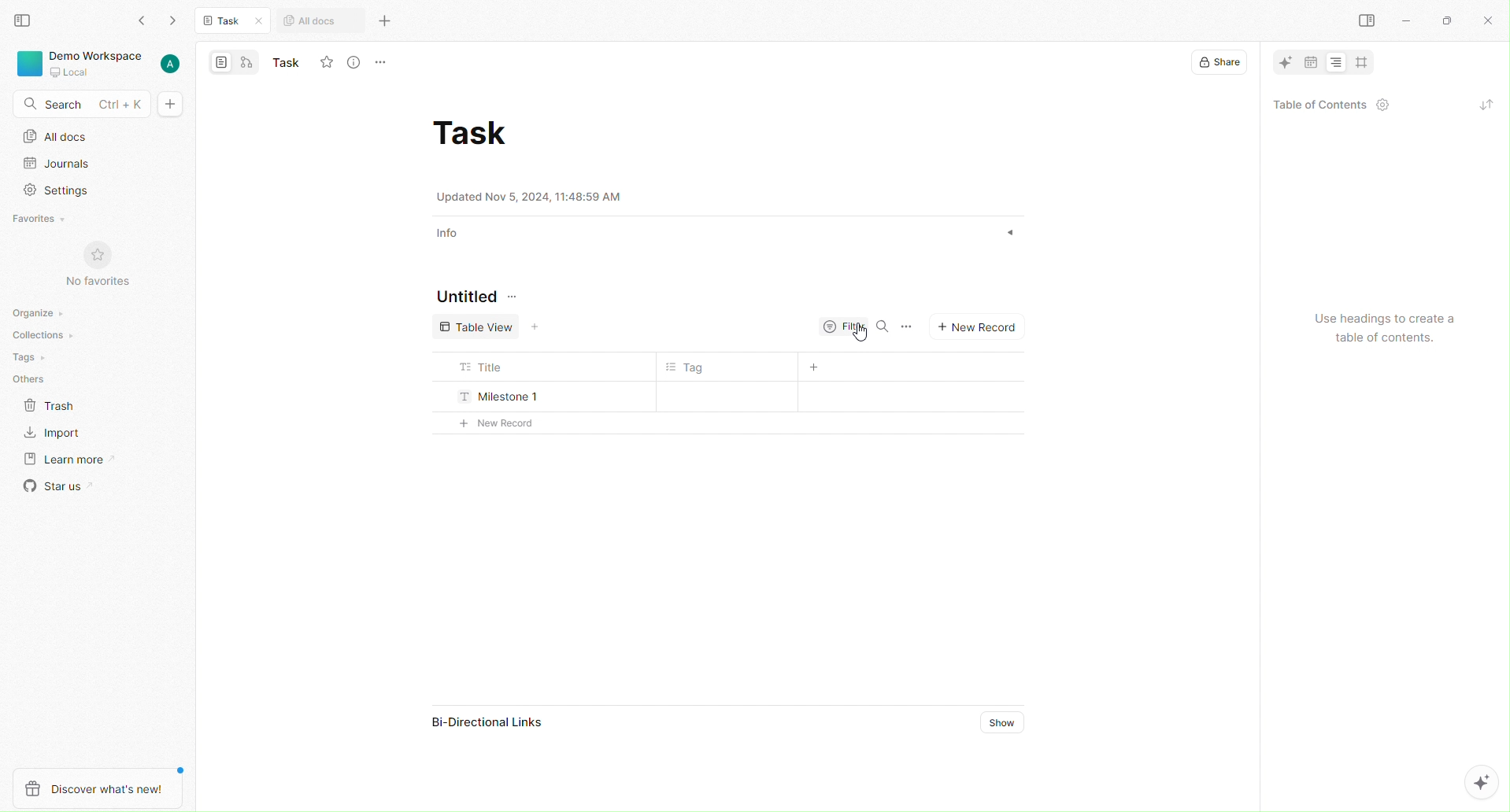 The image size is (1510, 812). Describe the element at coordinates (845, 326) in the screenshot. I see `Filter` at that location.